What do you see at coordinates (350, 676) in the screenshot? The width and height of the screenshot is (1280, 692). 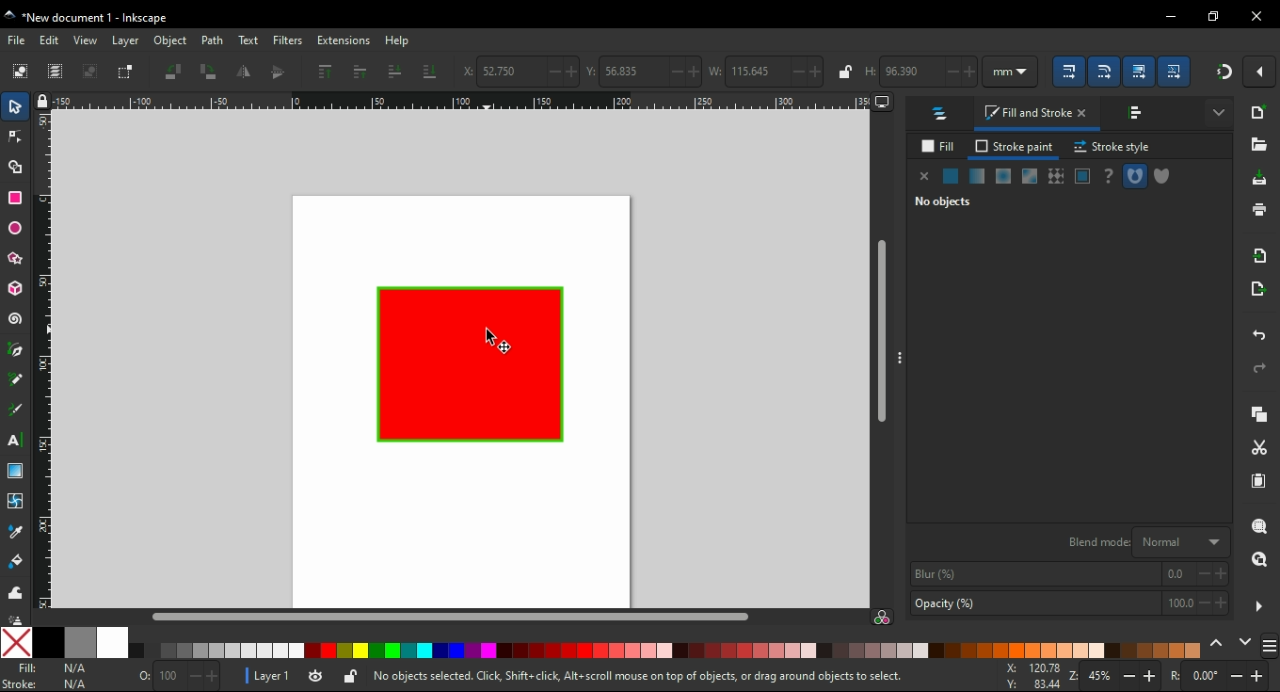 I see `lock` at bounding box center [350, 676].